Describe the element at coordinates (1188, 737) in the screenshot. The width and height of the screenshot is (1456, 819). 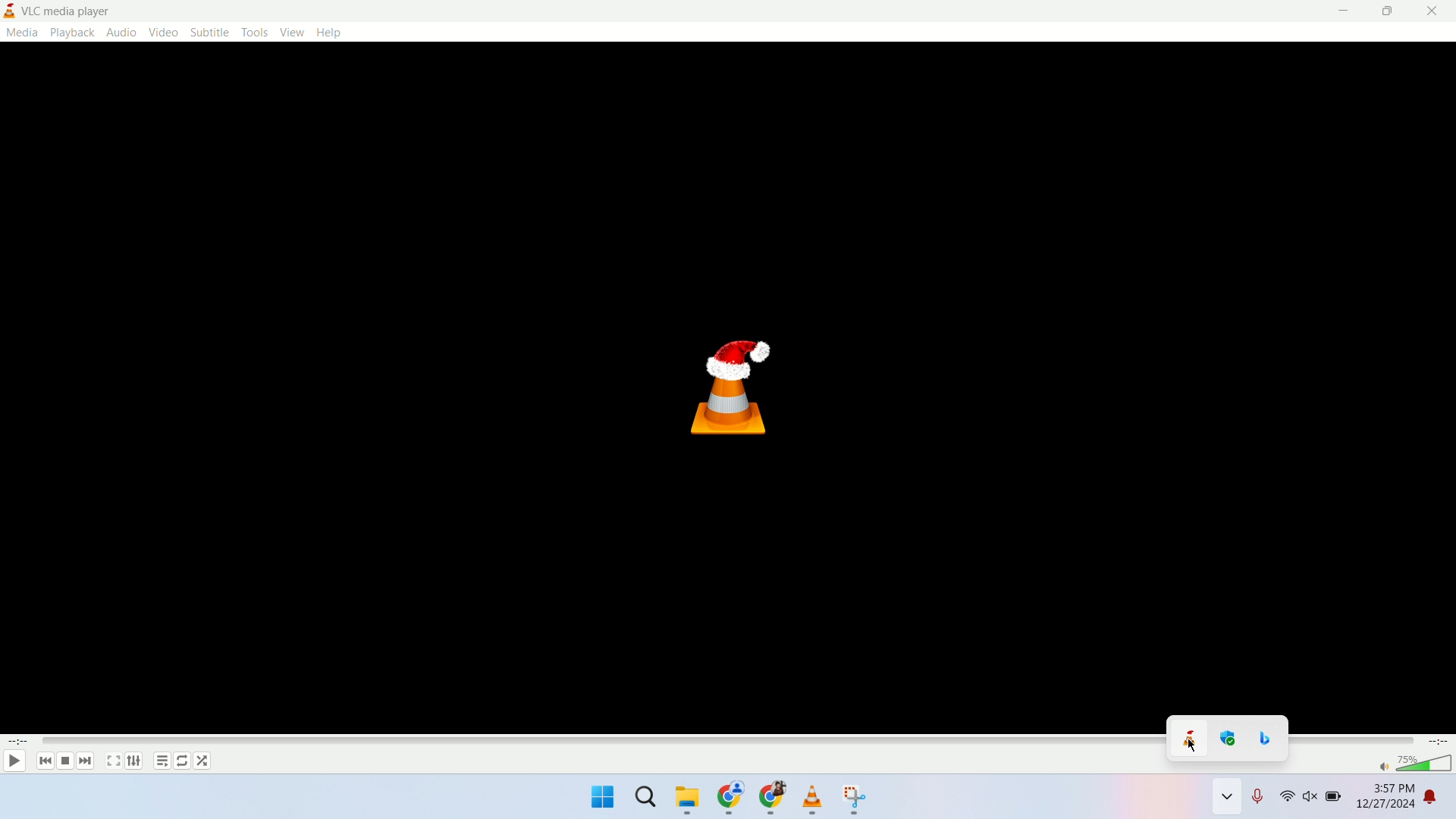
I see `vlc player` at that location.